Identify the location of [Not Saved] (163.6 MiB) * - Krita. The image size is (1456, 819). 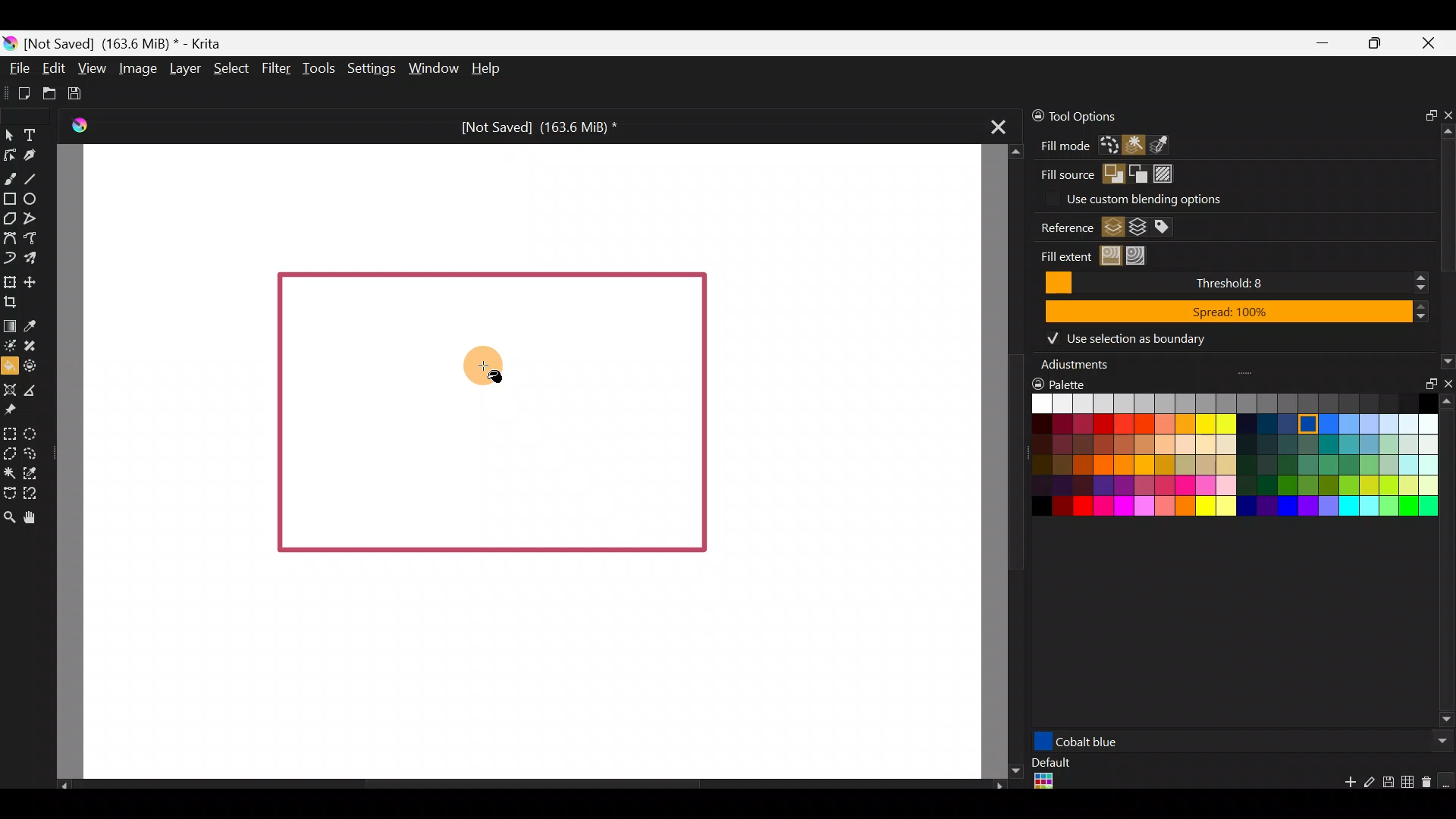
(132, 44).